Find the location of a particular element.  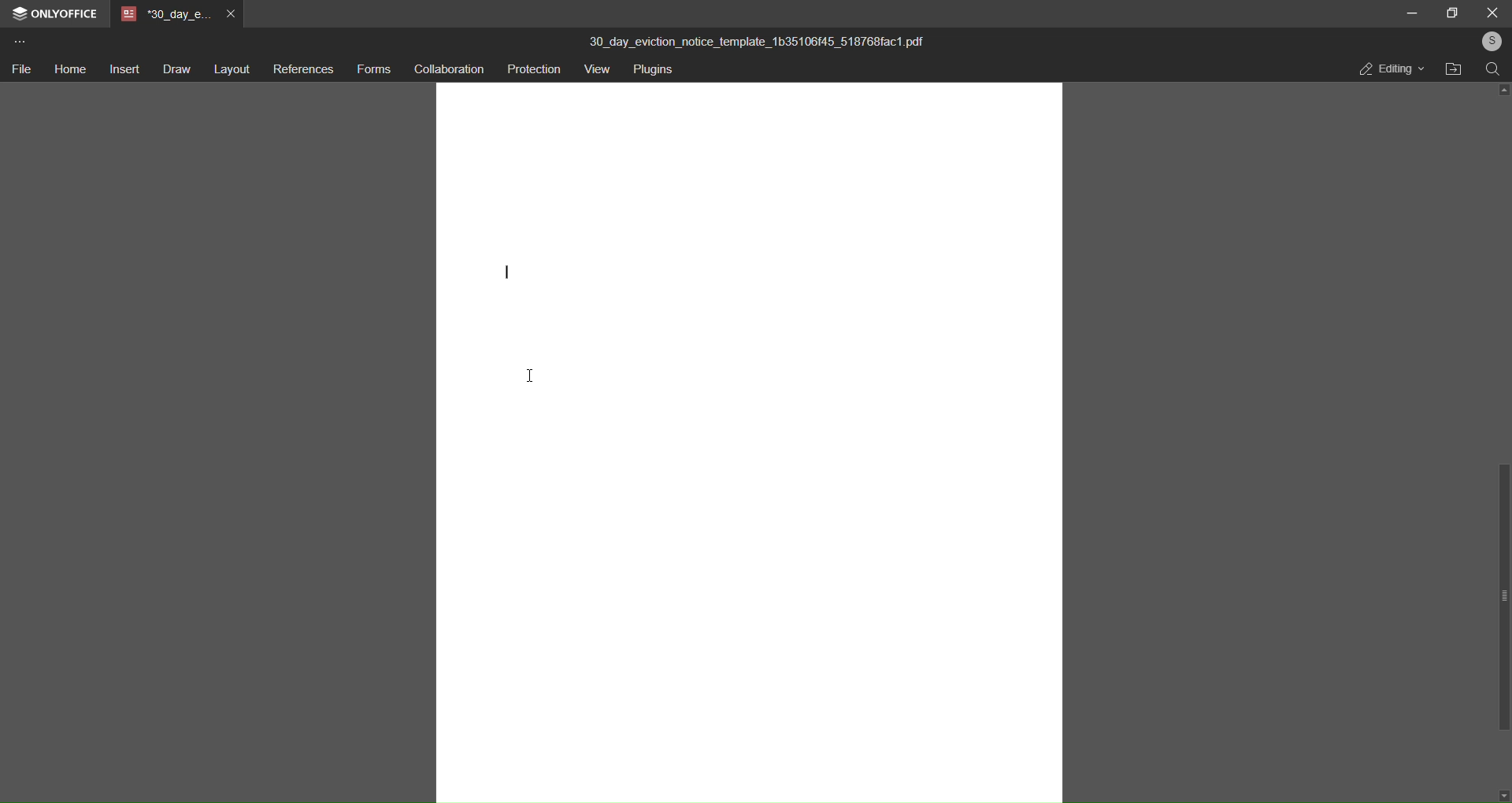

down is located at coordinates (1503, 794).